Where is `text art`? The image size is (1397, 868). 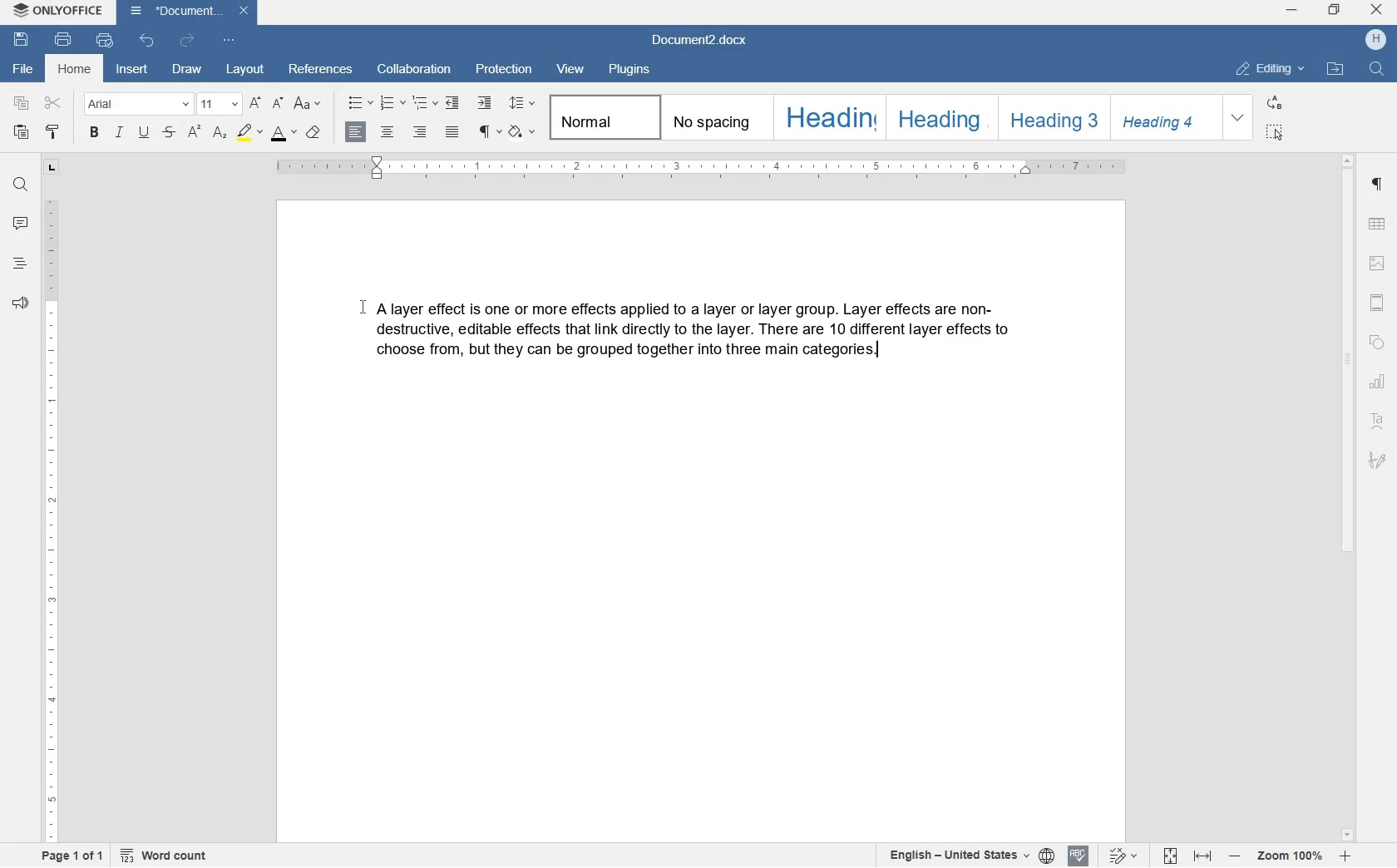
text art is located at coordinates (1378, 421).